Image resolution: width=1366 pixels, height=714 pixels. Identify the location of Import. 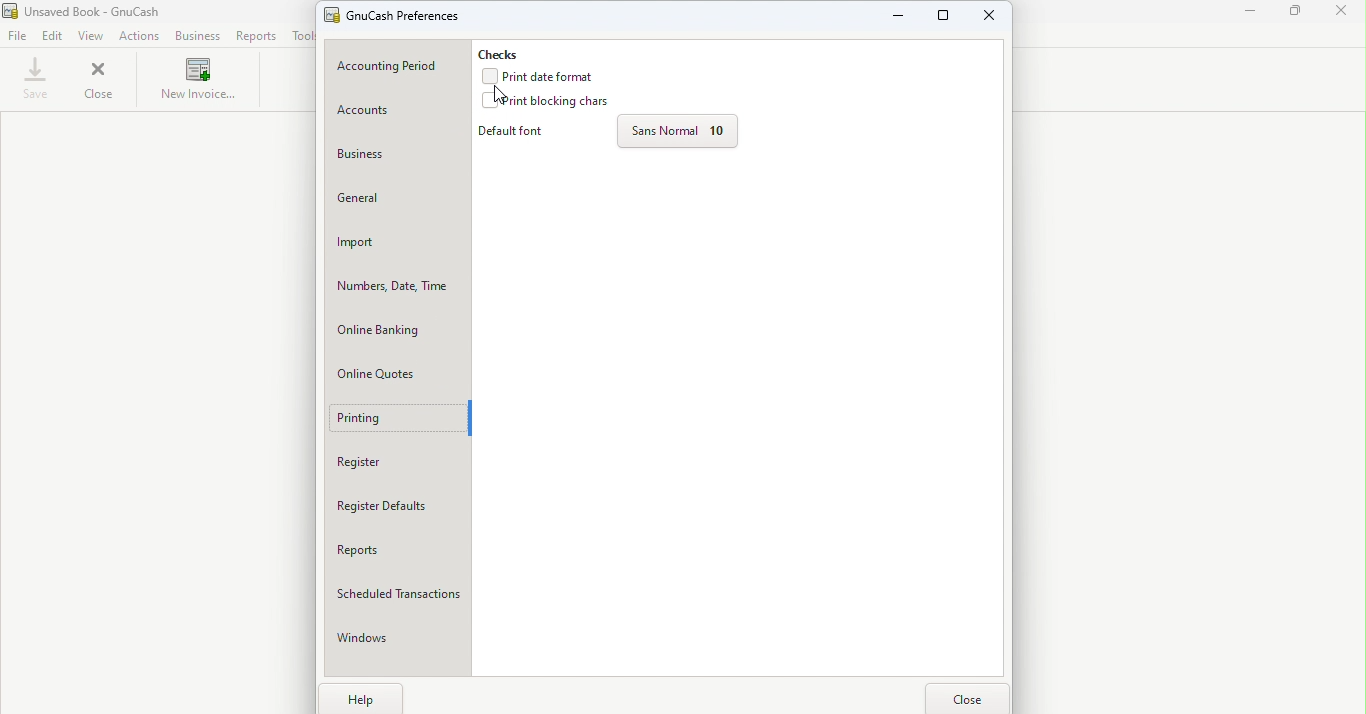
(399, 243).